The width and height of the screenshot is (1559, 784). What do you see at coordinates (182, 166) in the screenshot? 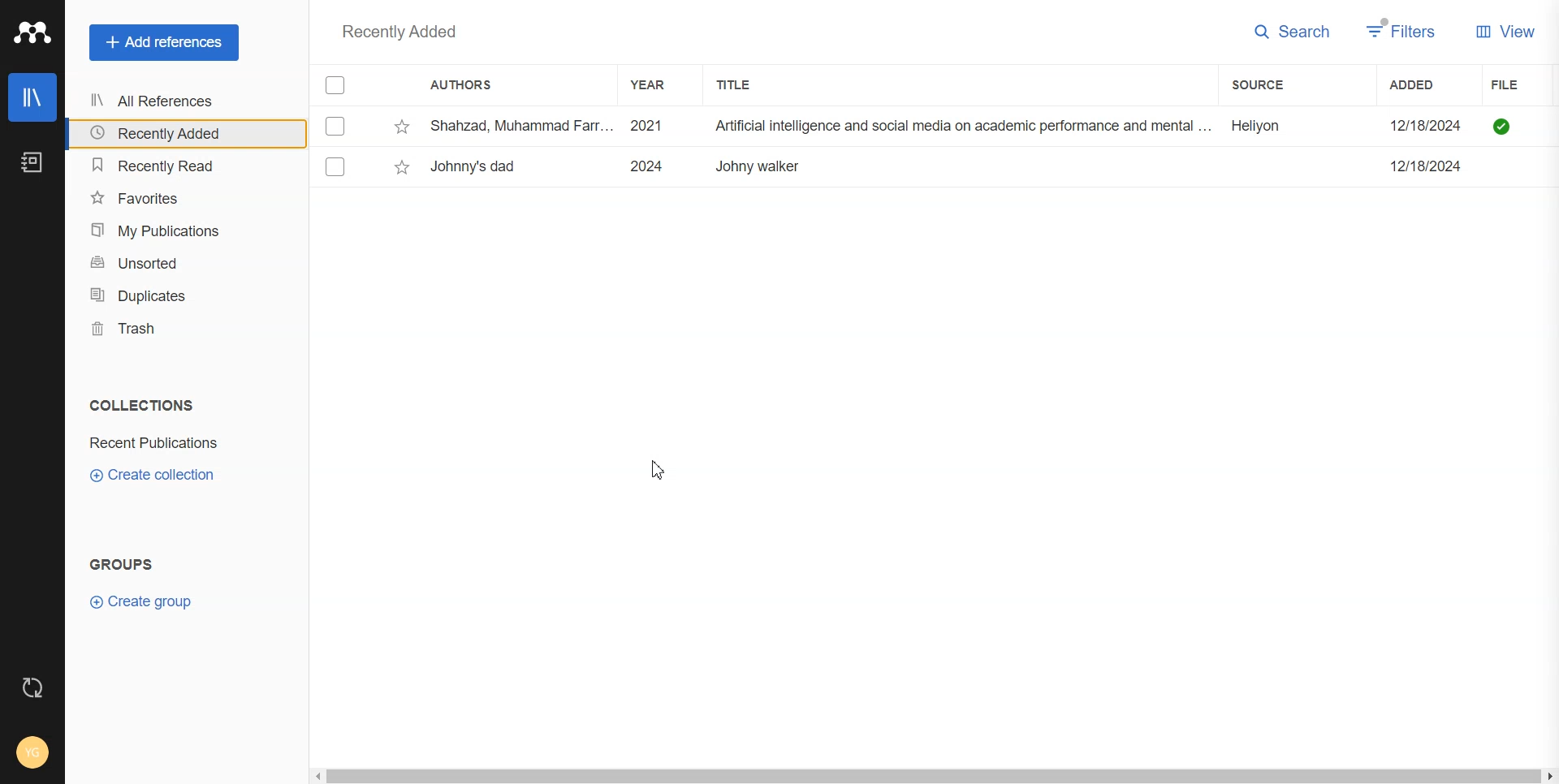
I see `Recently Read` at bounding box center [182, 166].